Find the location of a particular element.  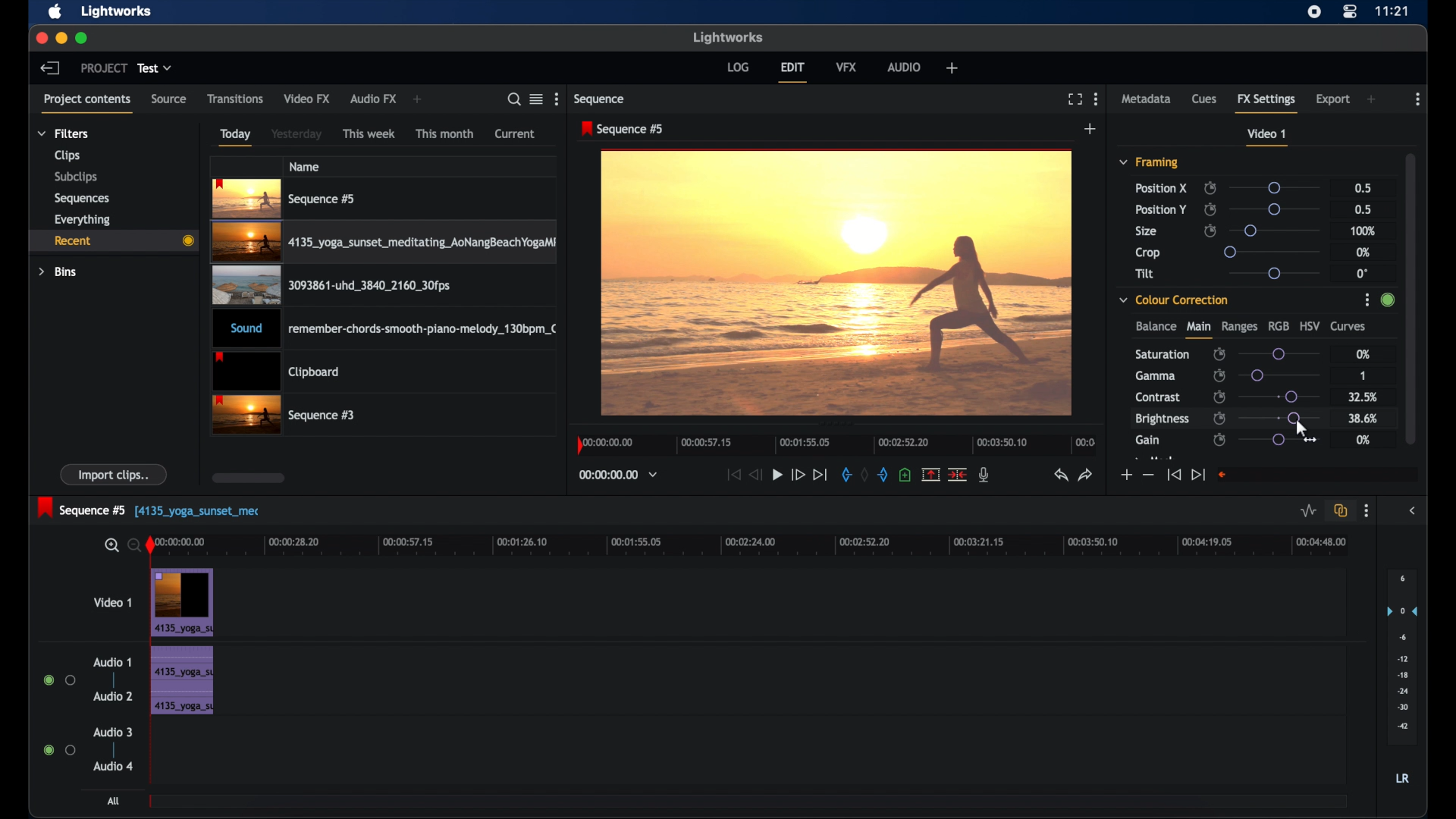

slider change is located at coordinates (1385, 304).